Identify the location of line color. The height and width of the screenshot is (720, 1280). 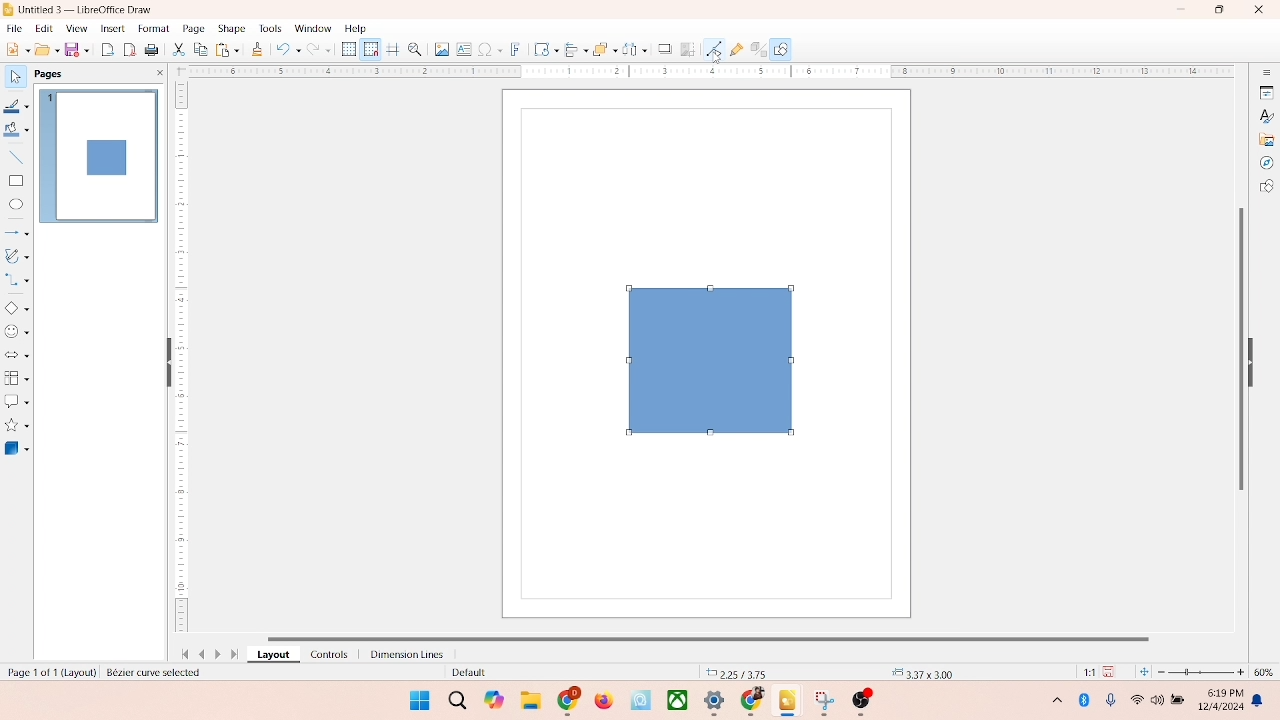
(17, 106).